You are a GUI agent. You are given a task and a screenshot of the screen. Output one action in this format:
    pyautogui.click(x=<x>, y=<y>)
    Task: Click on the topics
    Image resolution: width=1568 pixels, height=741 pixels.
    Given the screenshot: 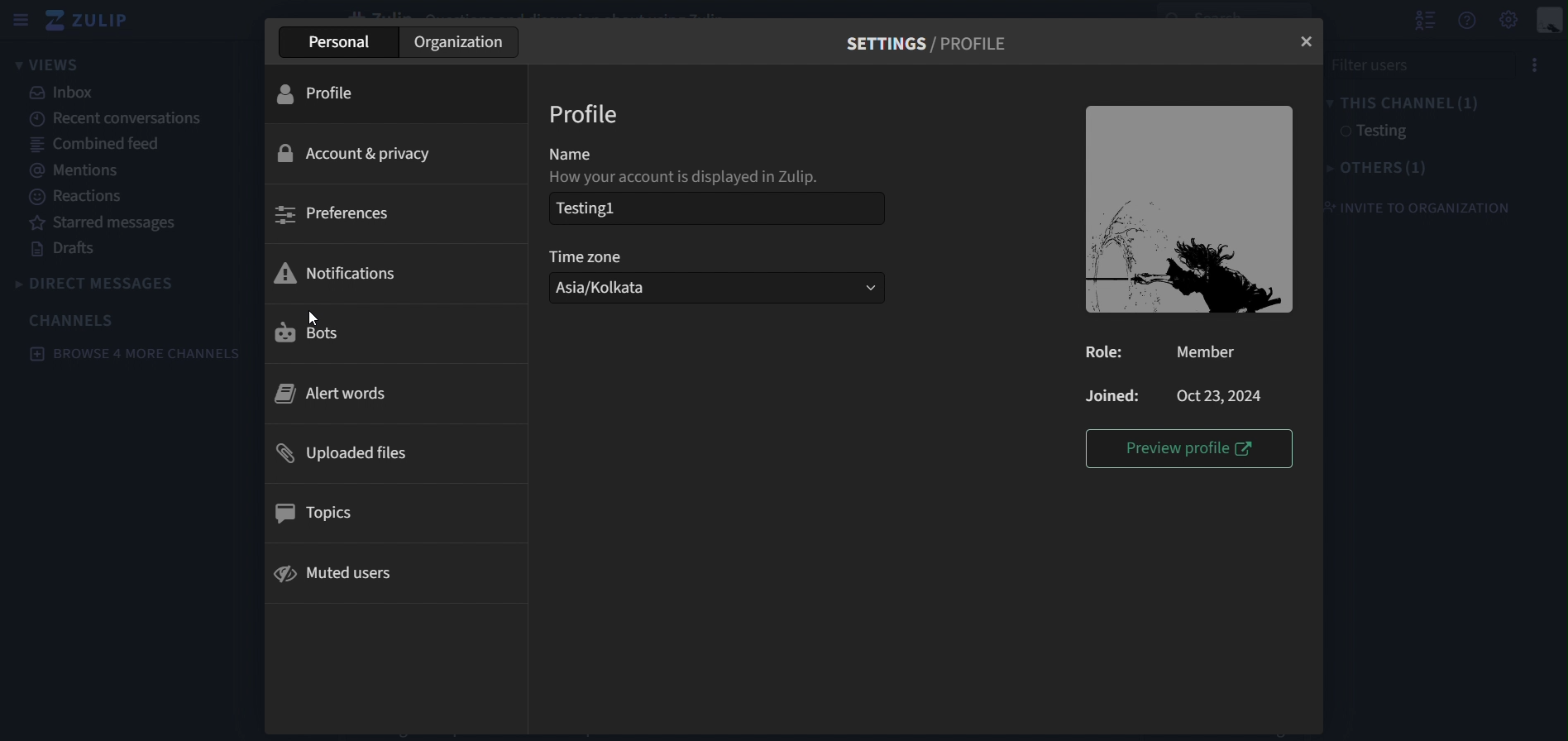 What is the action you would take?
    pyautogui.click(x=323, y=514)
    